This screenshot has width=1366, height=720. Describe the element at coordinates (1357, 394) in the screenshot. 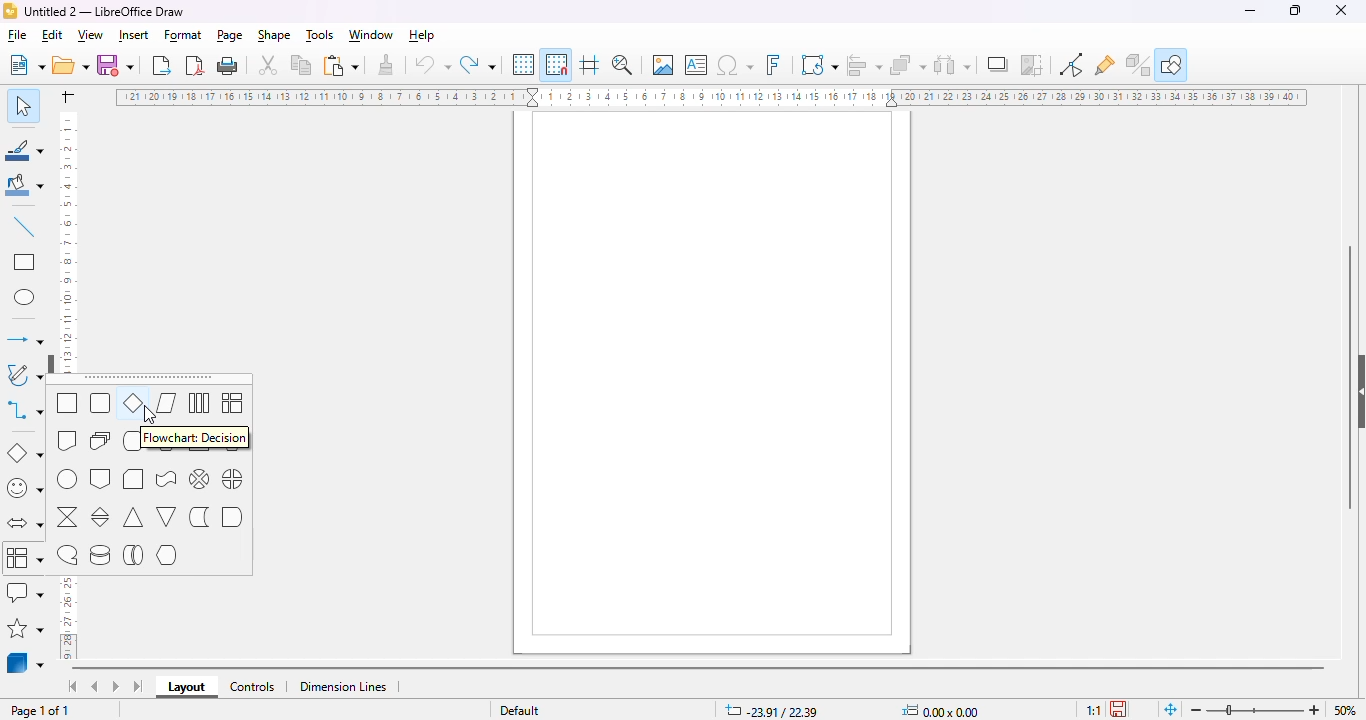

I see `show` at that location.